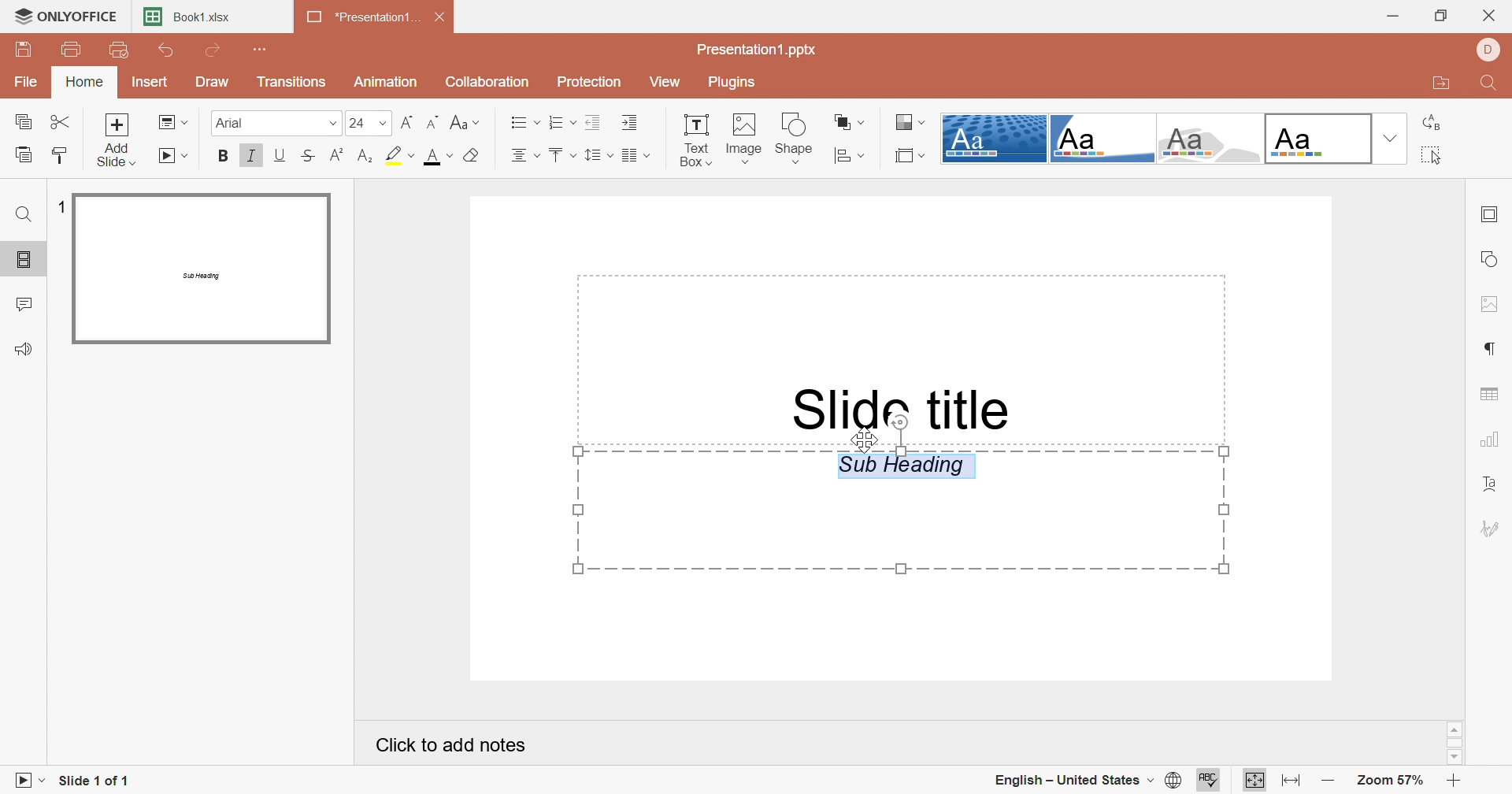 Image resolution: width=1512 pixels, height=794 pixels. What do you see at coordinates (169, 50) in the screenshot?
I see `Undo` at bounding box center [169, 50].